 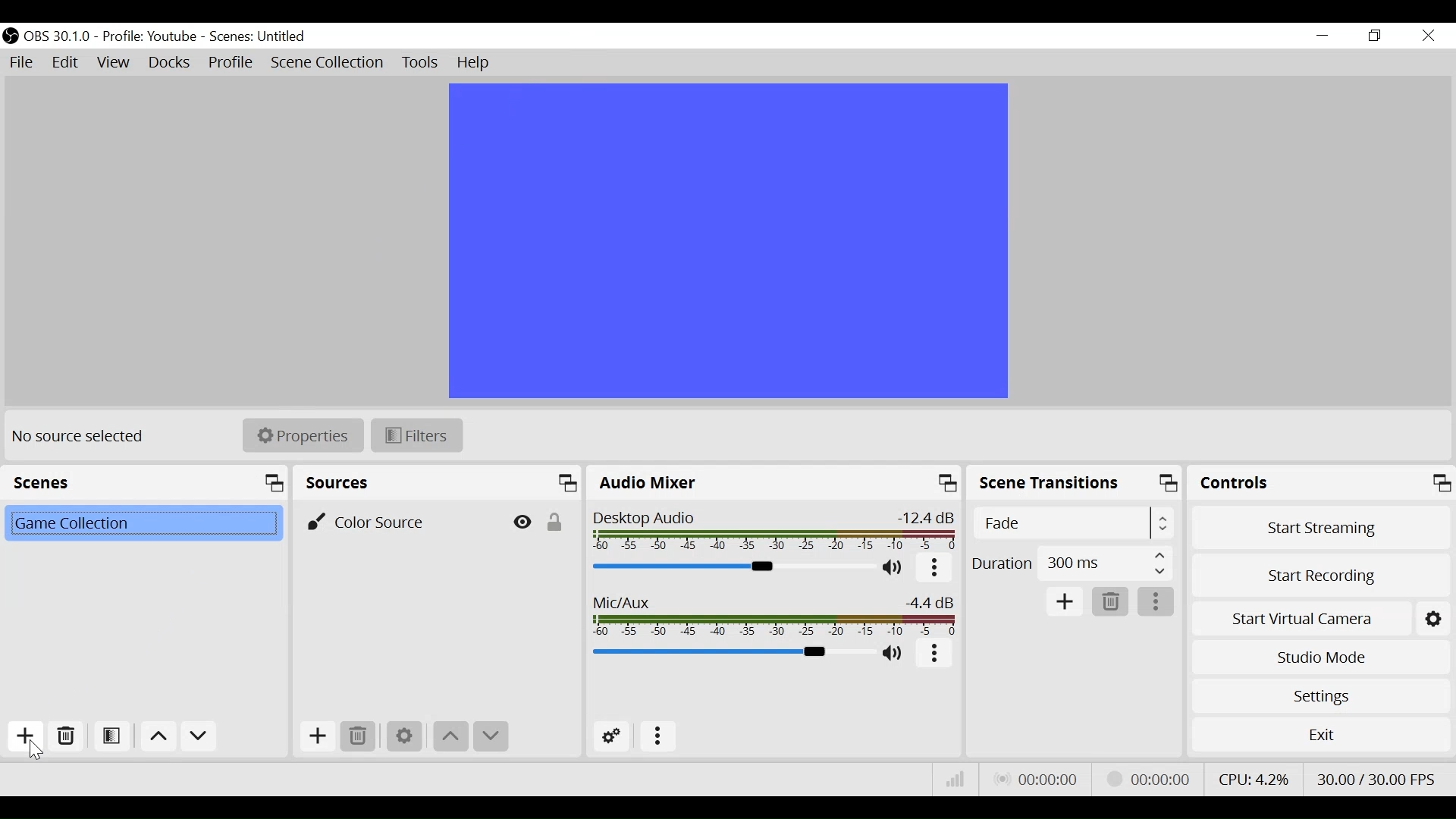 What do you see at coordinates (893, 655) in the screenshot?
I see `(un)mute` at bounding box center [893, 655].